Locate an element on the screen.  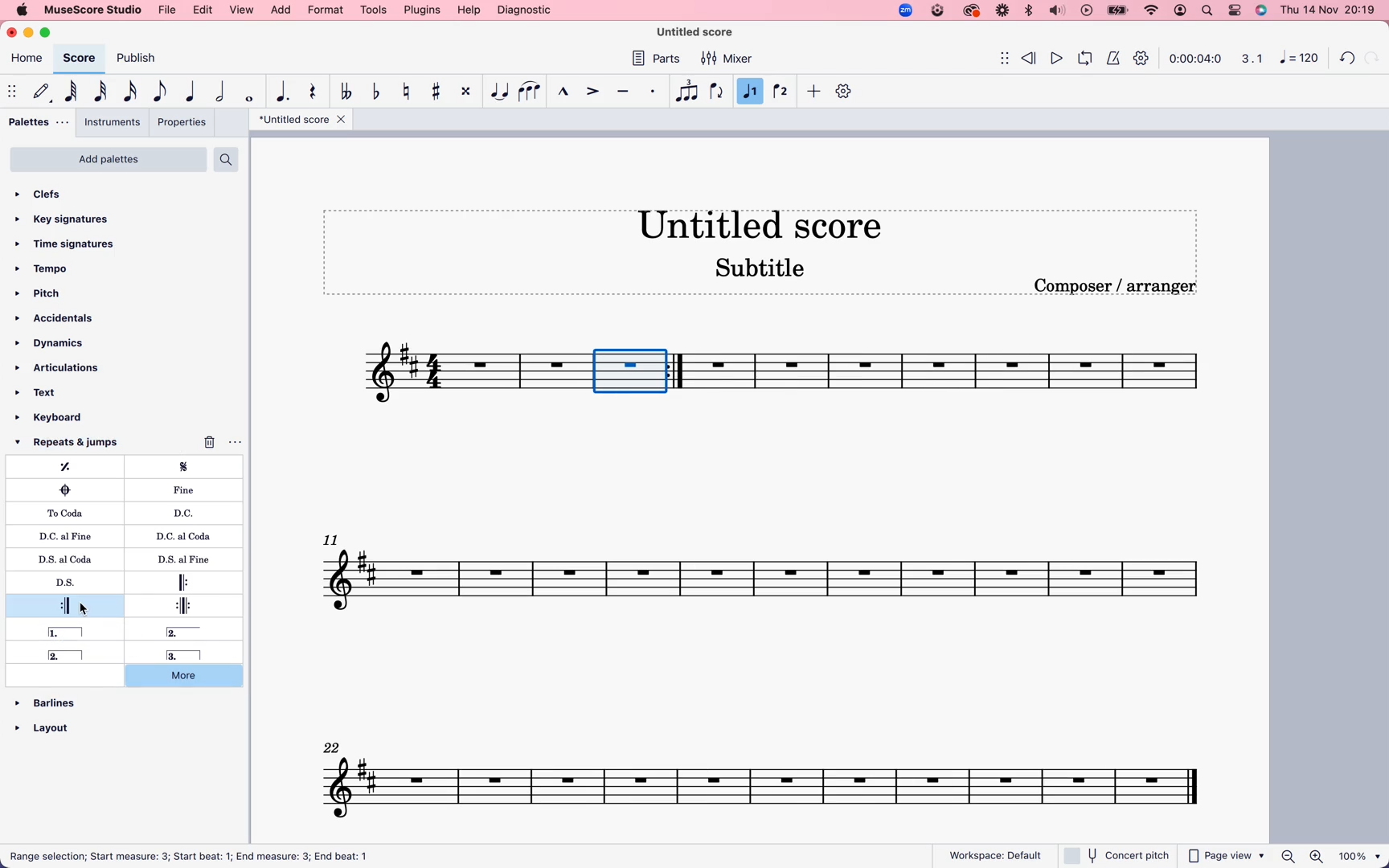
publish is located at coordinates (141, 59).